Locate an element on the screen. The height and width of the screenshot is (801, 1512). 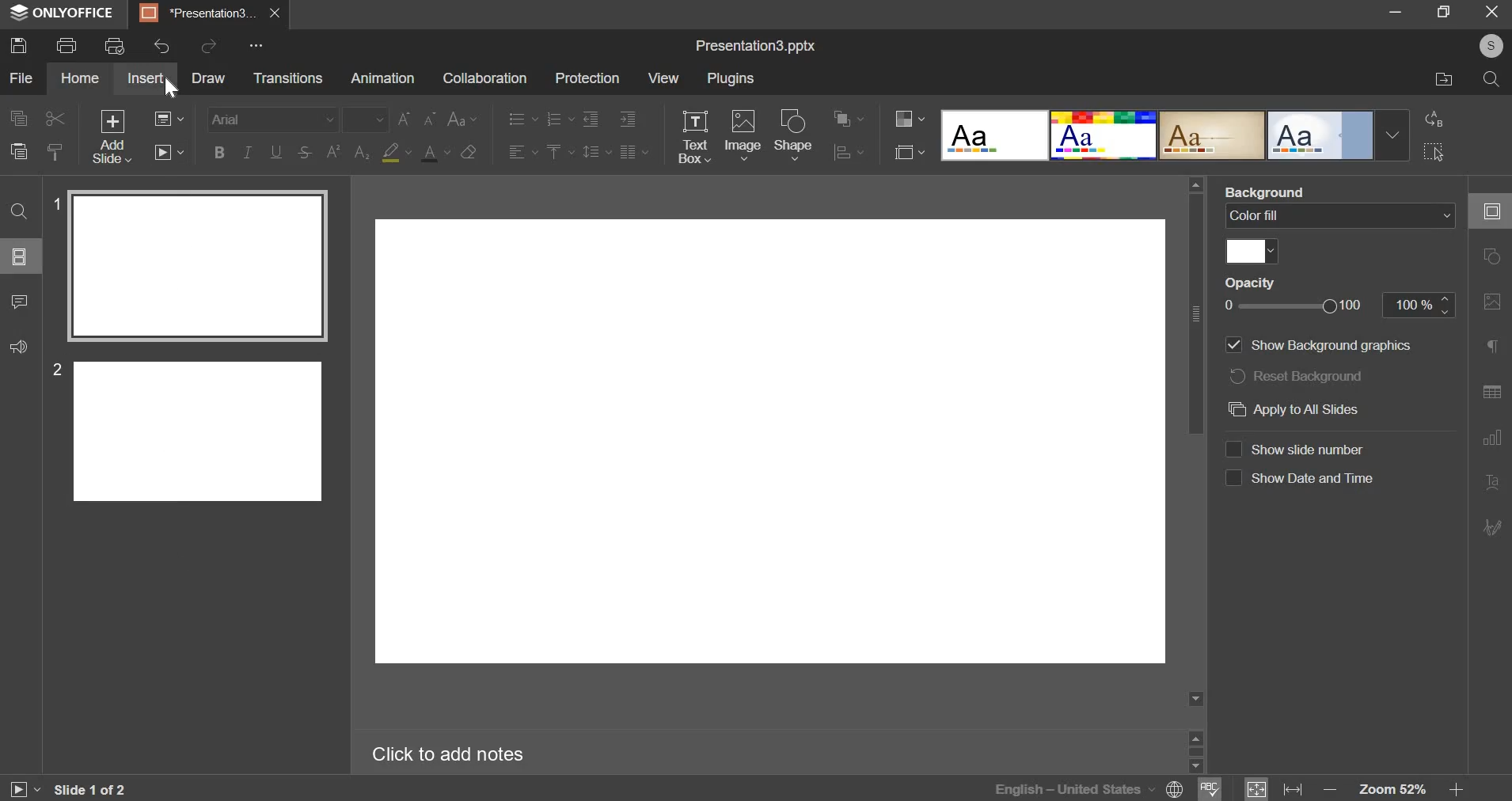
slide 2 preview is located at coordinates (199, 429).